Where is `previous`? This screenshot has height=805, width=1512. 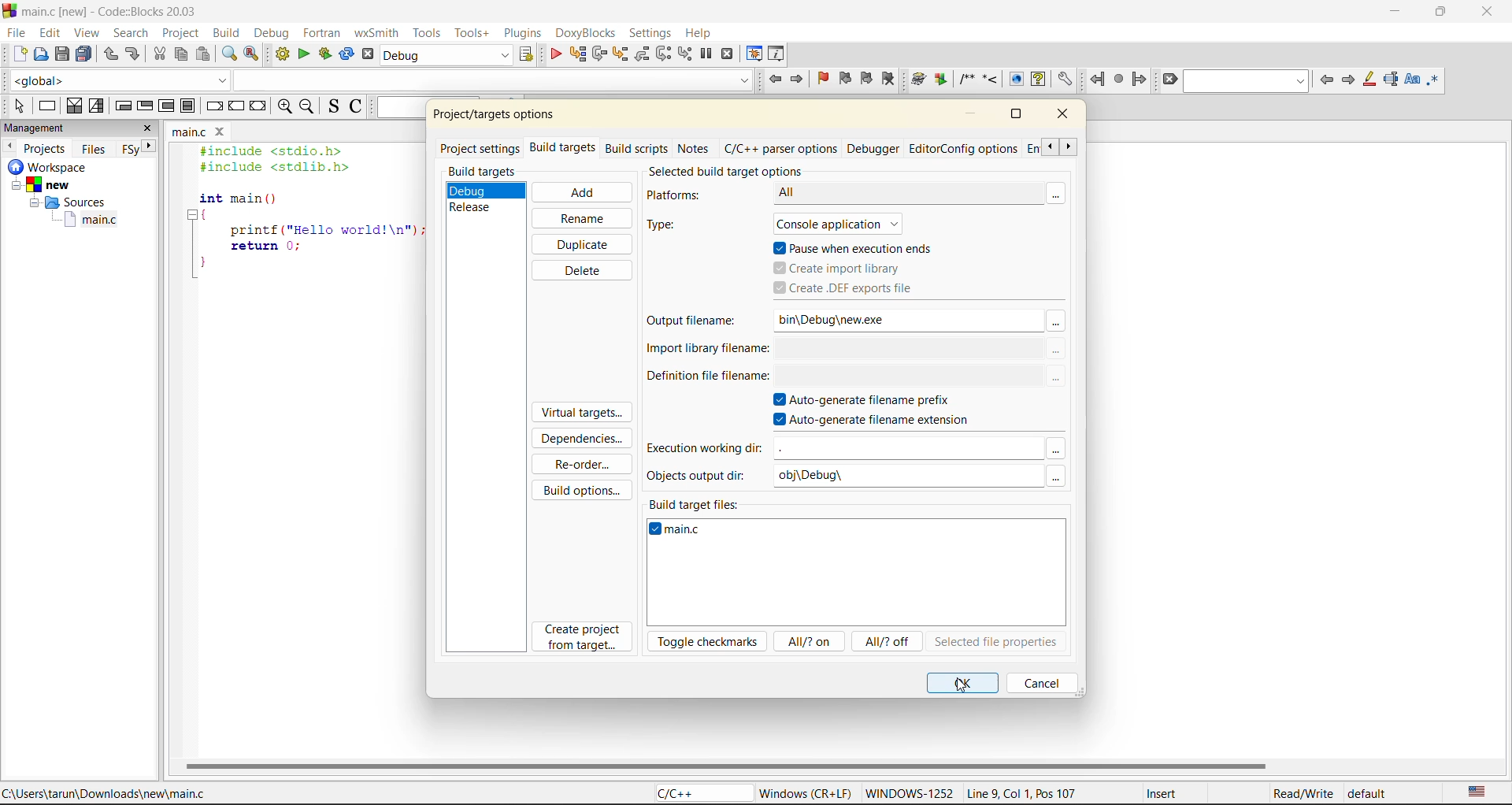 previous is located at coordinates (1327, 81).